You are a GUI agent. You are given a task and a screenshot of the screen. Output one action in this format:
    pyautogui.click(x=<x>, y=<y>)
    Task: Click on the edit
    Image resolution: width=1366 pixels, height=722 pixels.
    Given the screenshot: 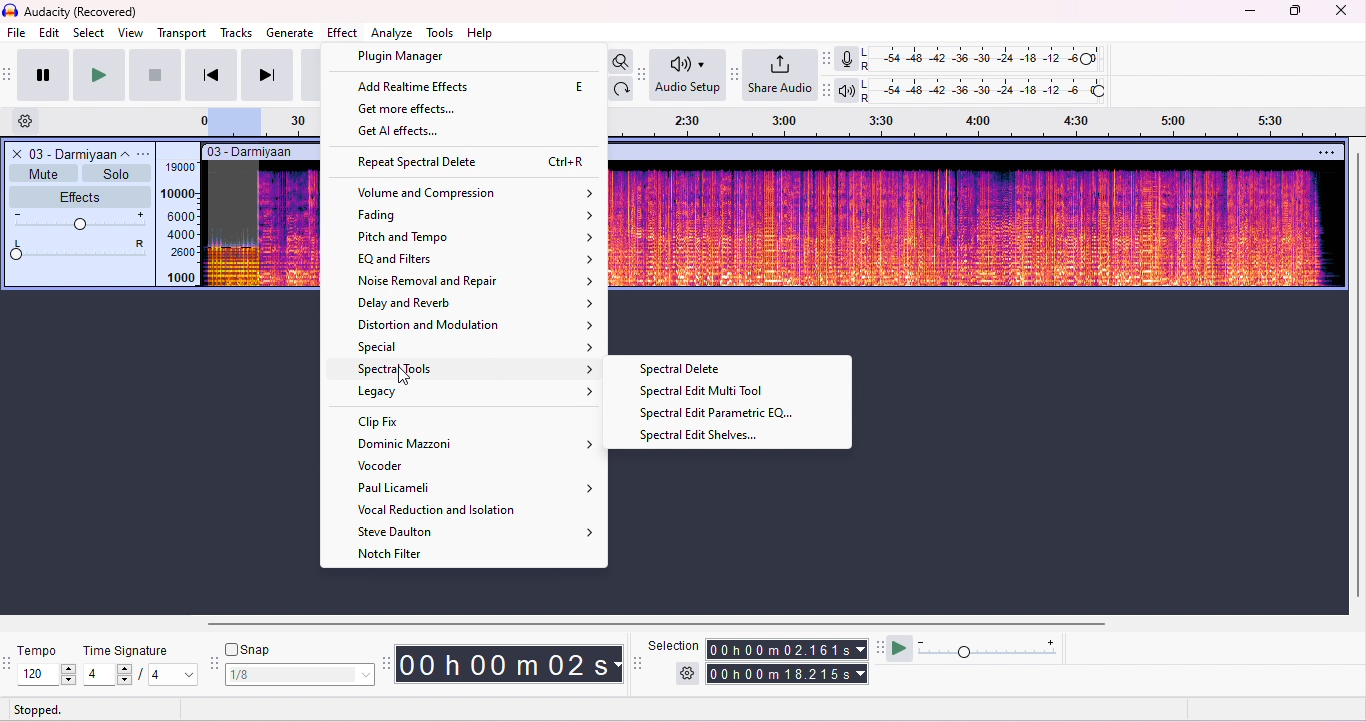 What is the action you would take?
    pyautogui.click(x=50, y=34)
    